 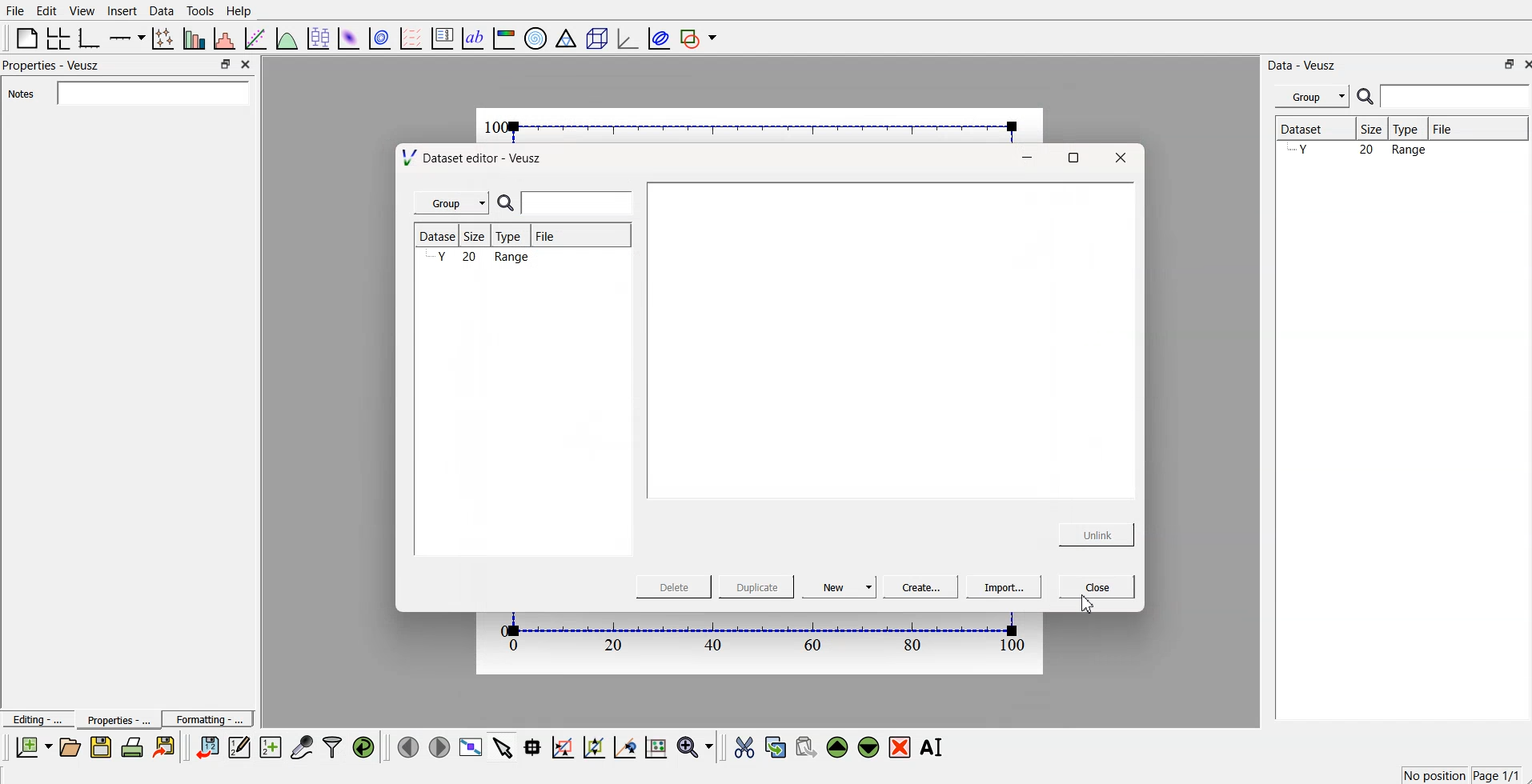 I want to click on File, so click(x=576, y=234).